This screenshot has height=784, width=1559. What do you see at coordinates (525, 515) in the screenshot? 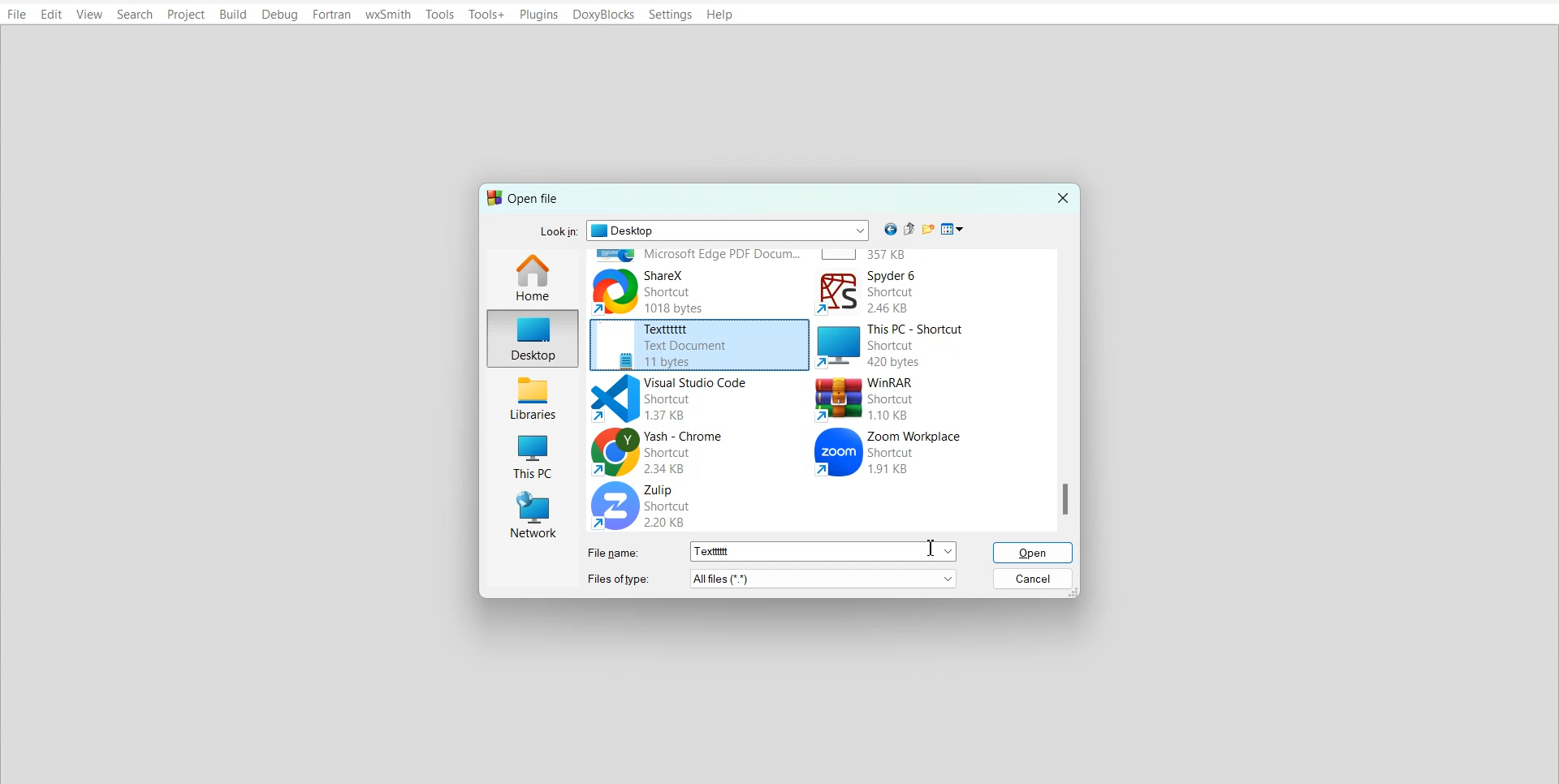
I see `Network` at bounding box center [525, 515].